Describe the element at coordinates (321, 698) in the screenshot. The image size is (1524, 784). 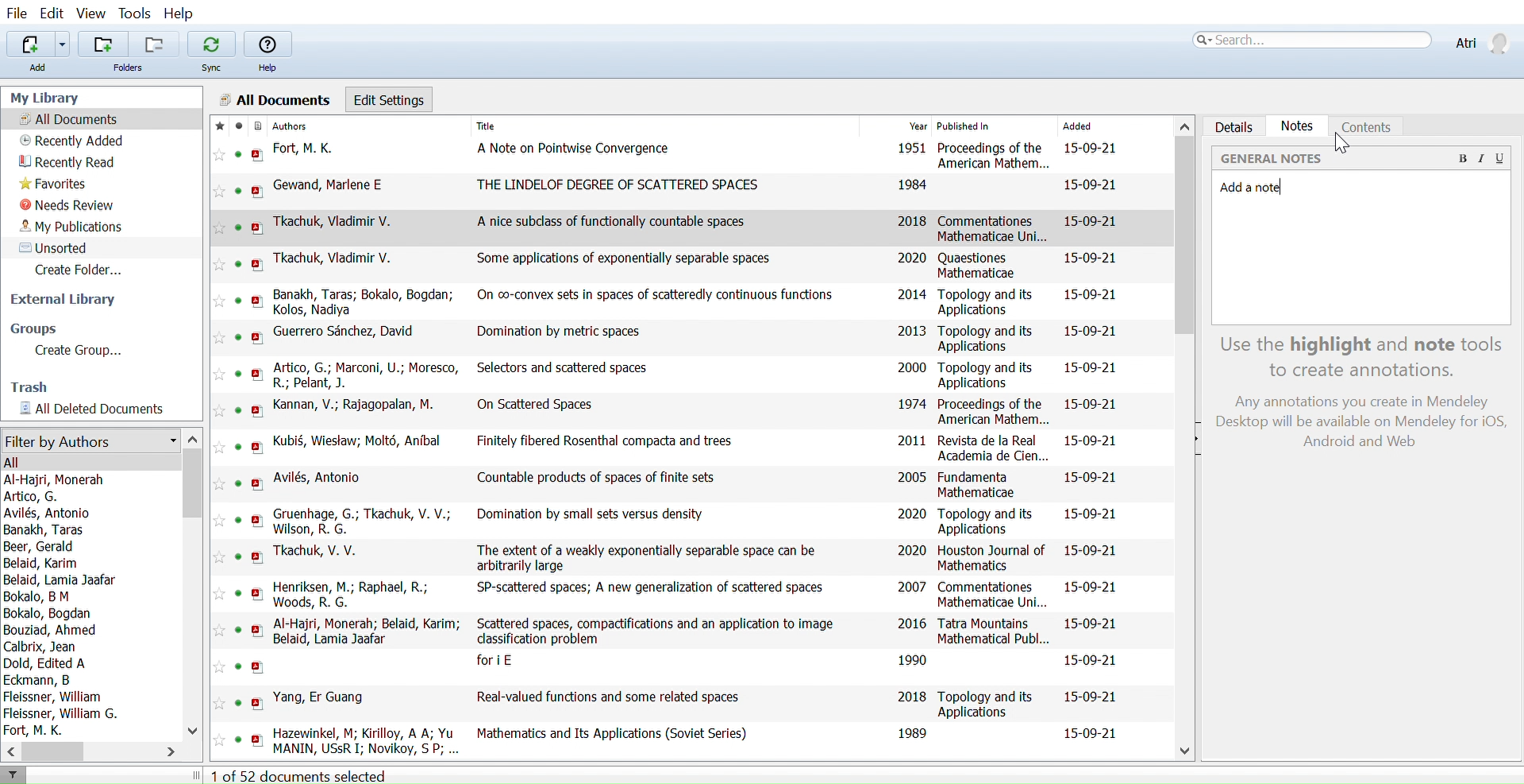
I see `Yang, Er Guang` at that location.